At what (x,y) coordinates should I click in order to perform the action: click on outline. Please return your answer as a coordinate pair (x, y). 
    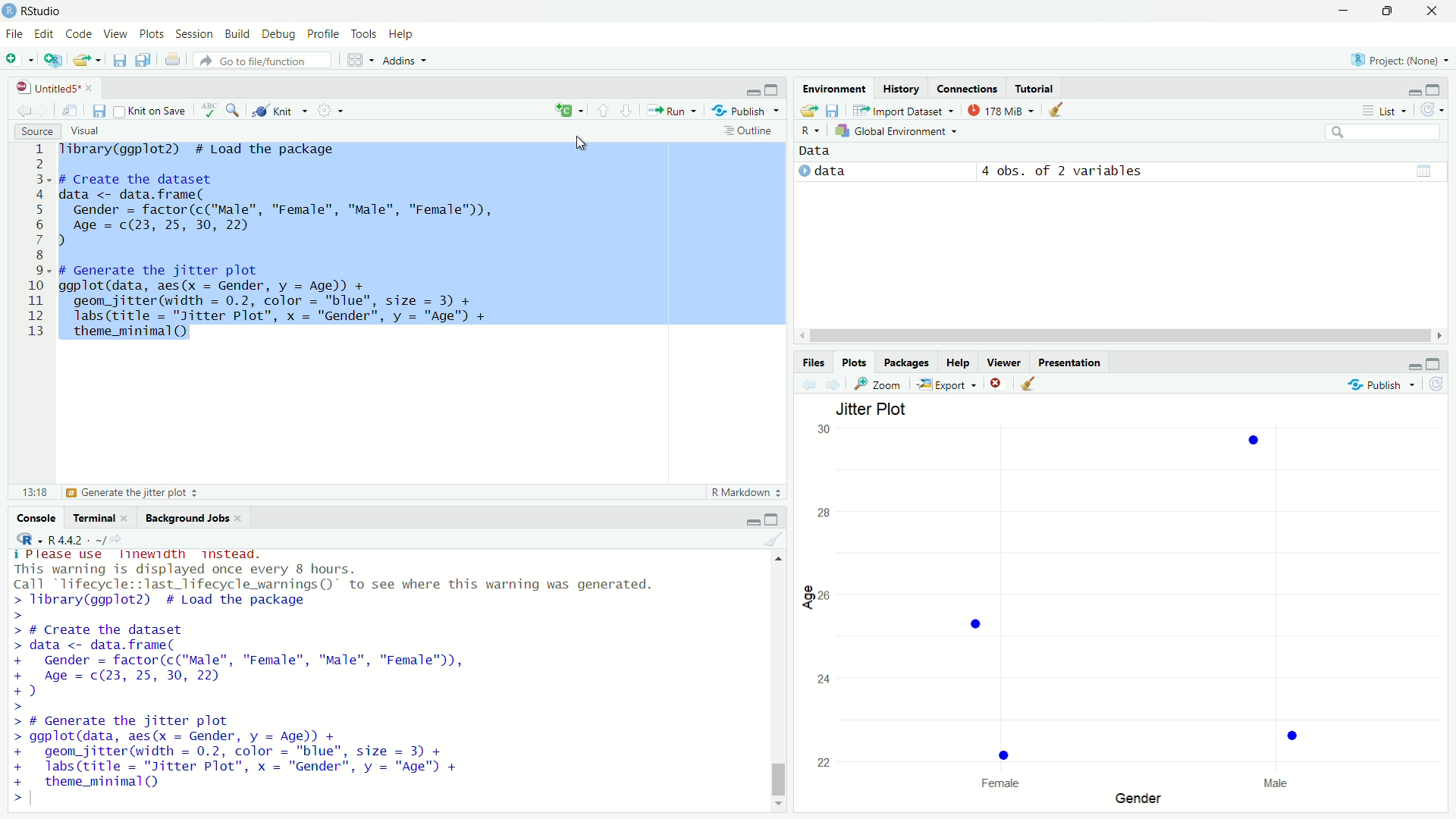
    Looking at the image, I should click on (748, 131).